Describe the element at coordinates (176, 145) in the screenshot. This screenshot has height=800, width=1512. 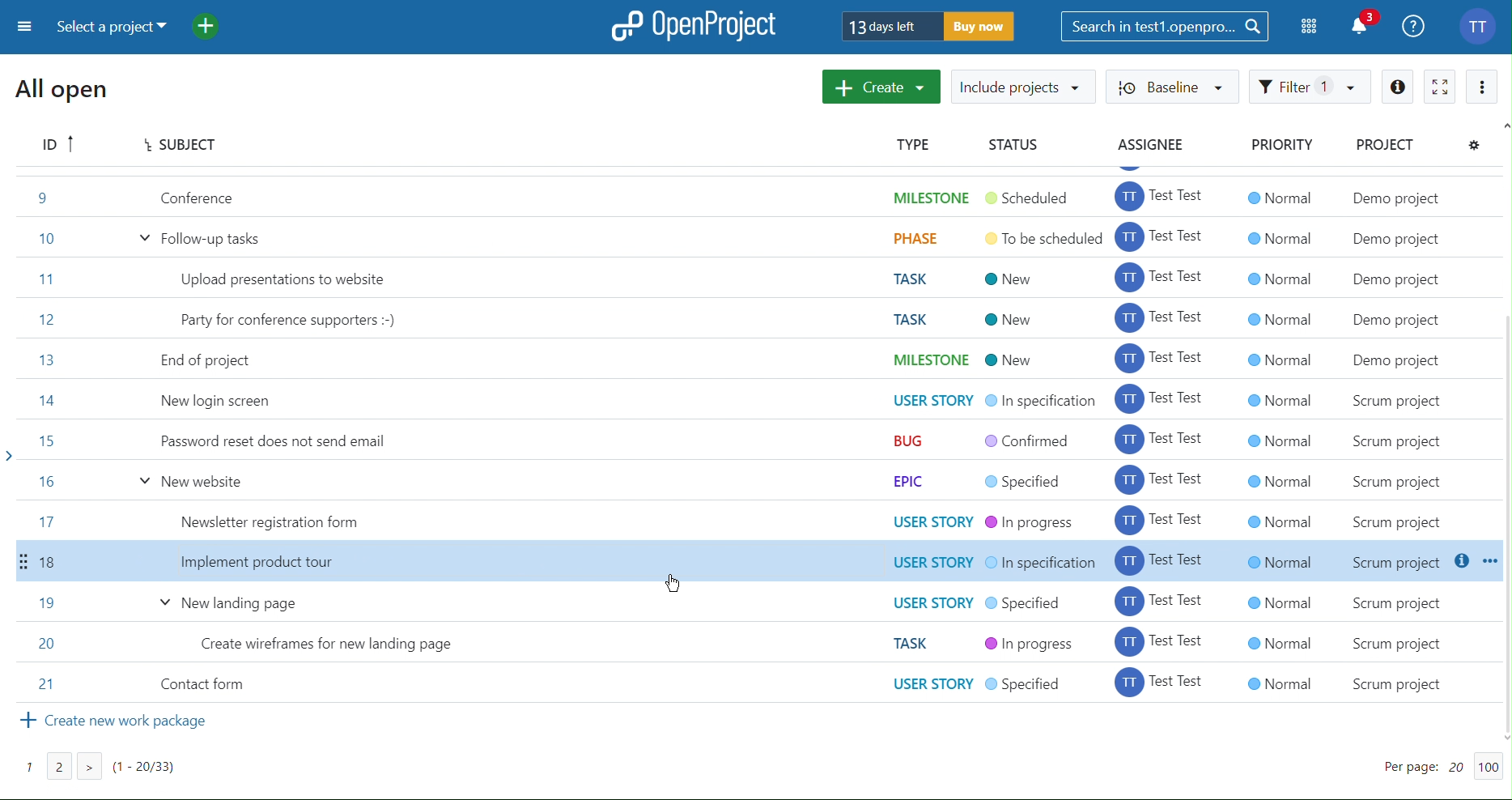
I see `Subject` at that location.